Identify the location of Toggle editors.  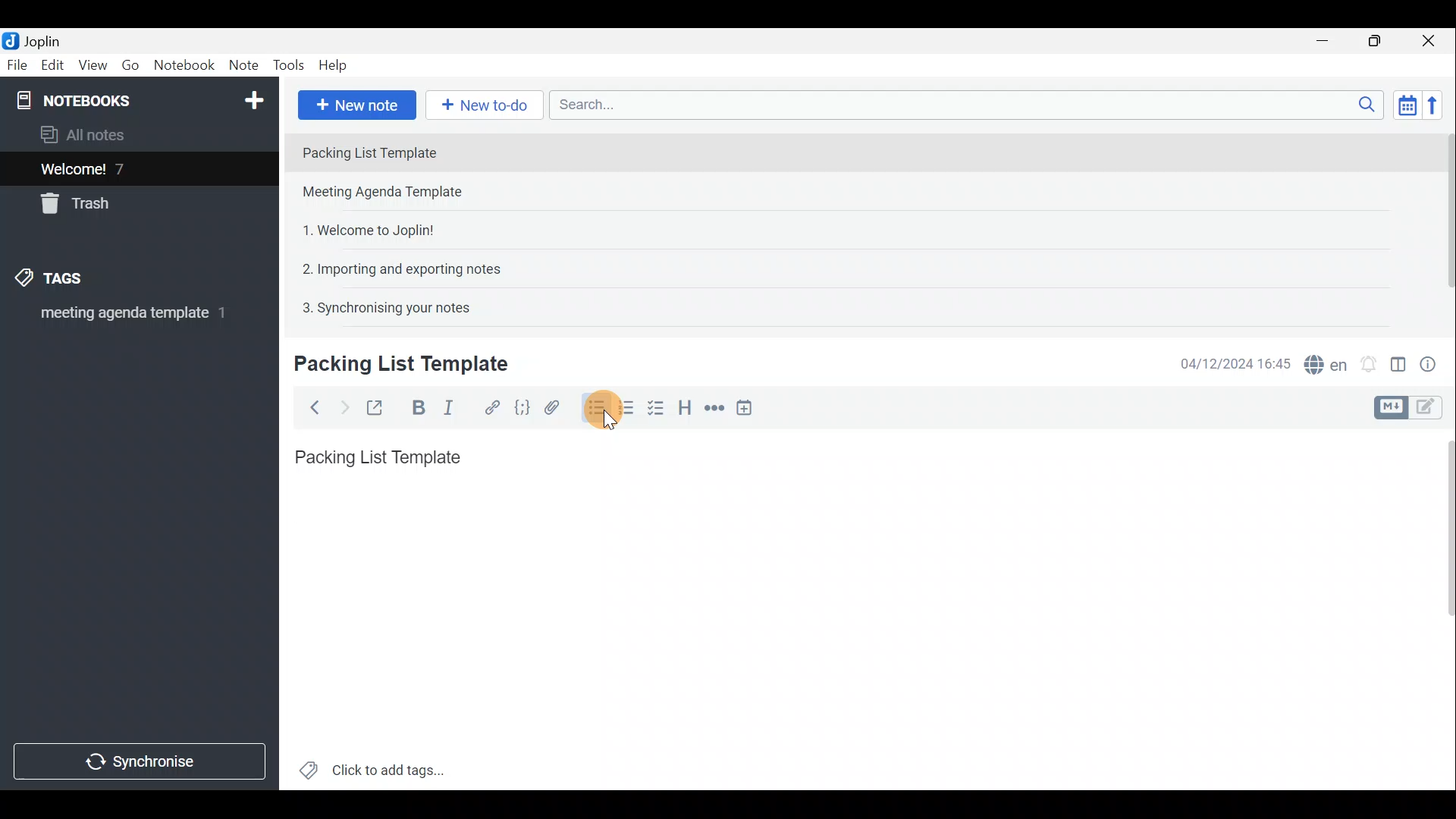
(1393, 406).